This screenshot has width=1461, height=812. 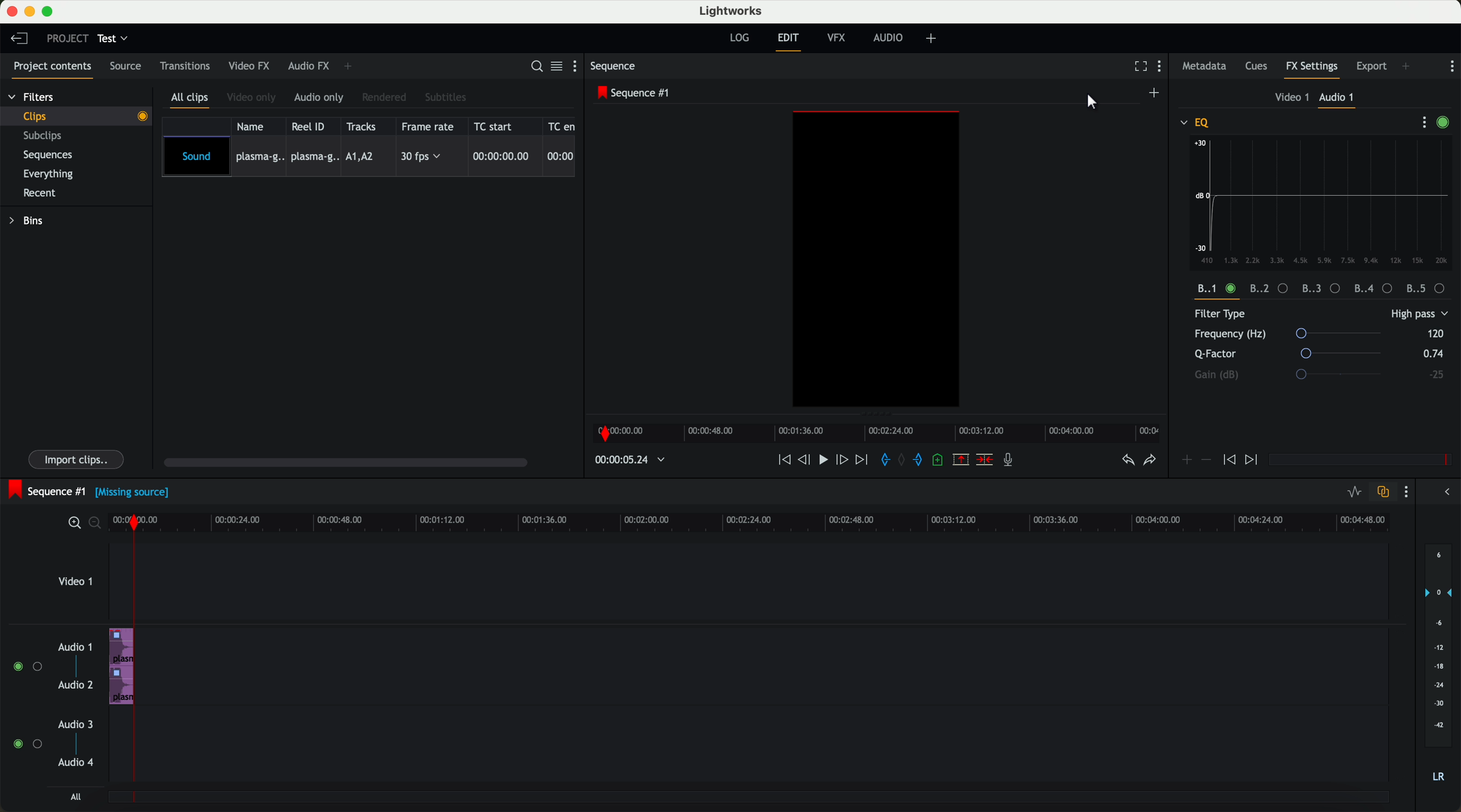 I want to click on filter type, so click(x=1285, y=315).